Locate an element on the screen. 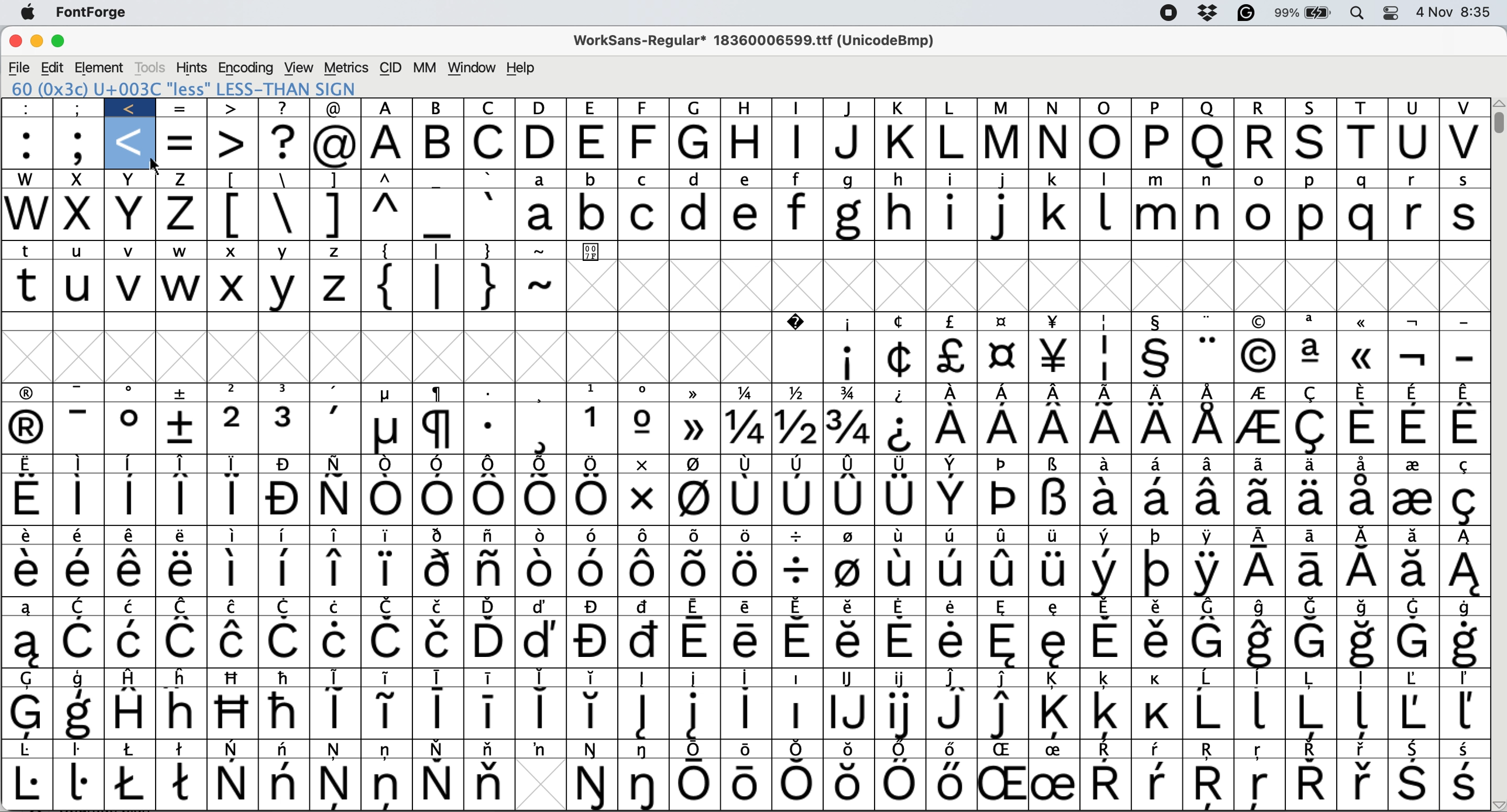 The image size is (1507, 812). Symbol is located at coordinates (544, 465).